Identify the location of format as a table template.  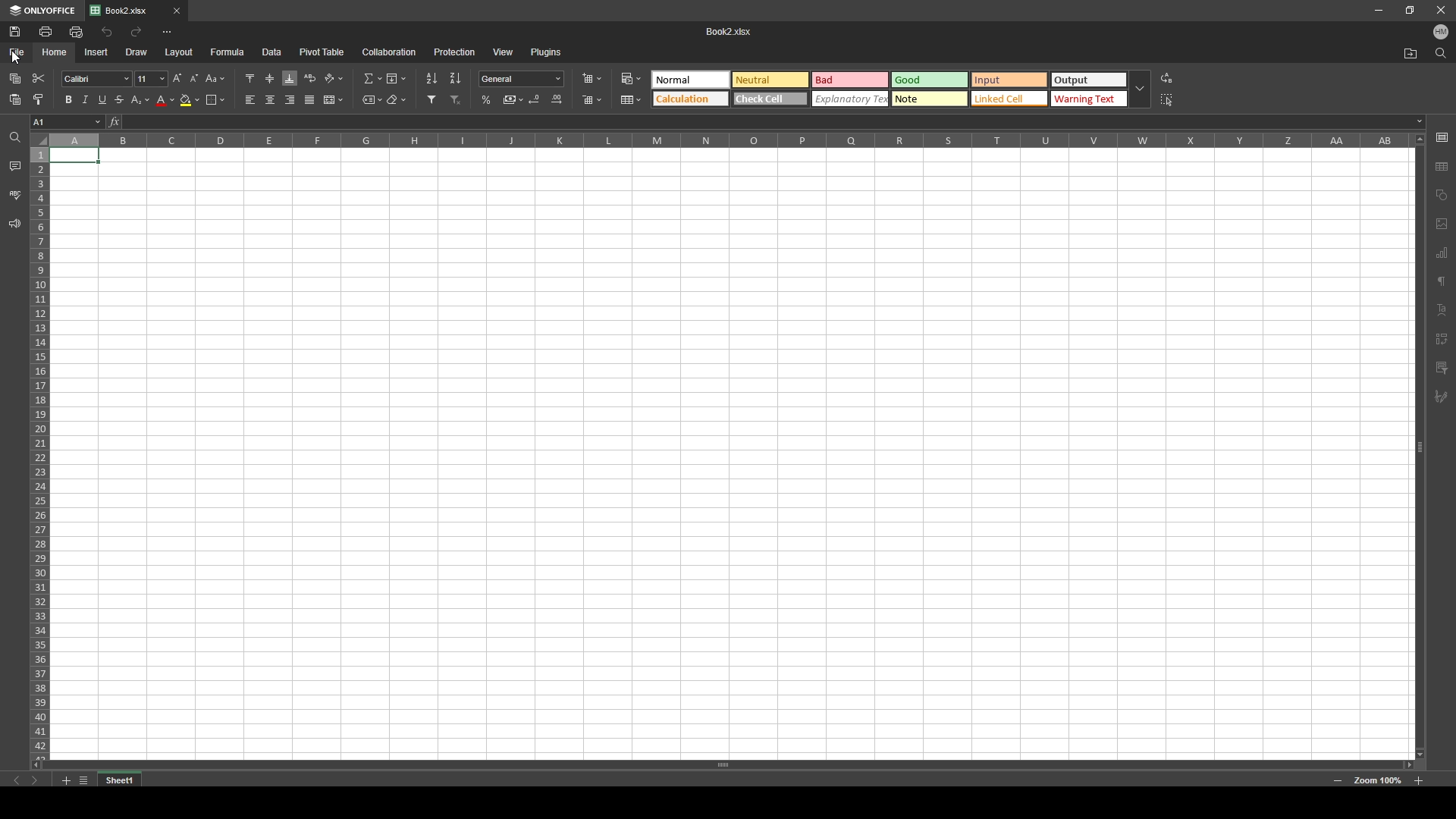
(631, 100).